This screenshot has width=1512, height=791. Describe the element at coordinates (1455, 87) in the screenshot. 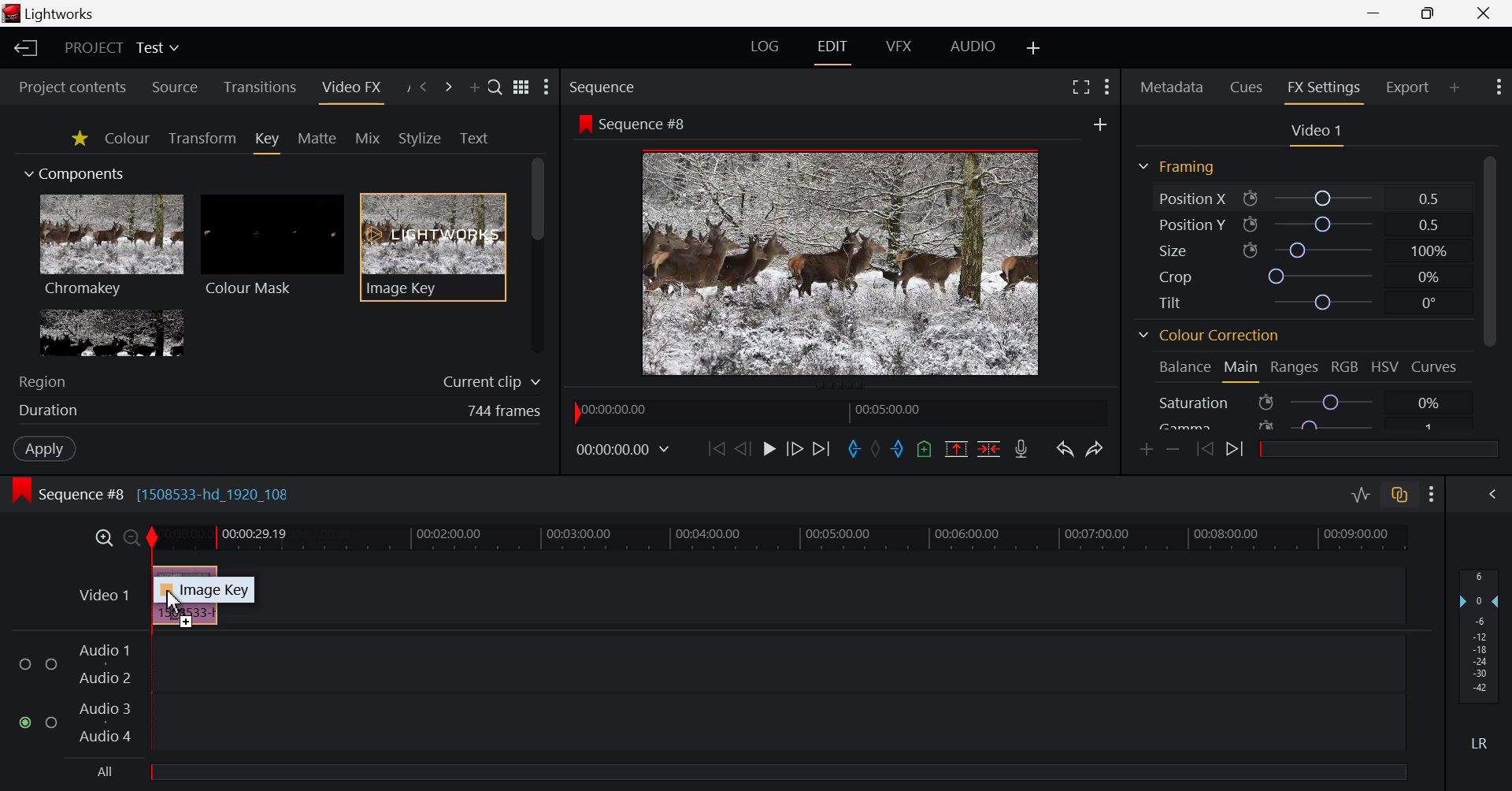

I see `Add Panel` at that location.